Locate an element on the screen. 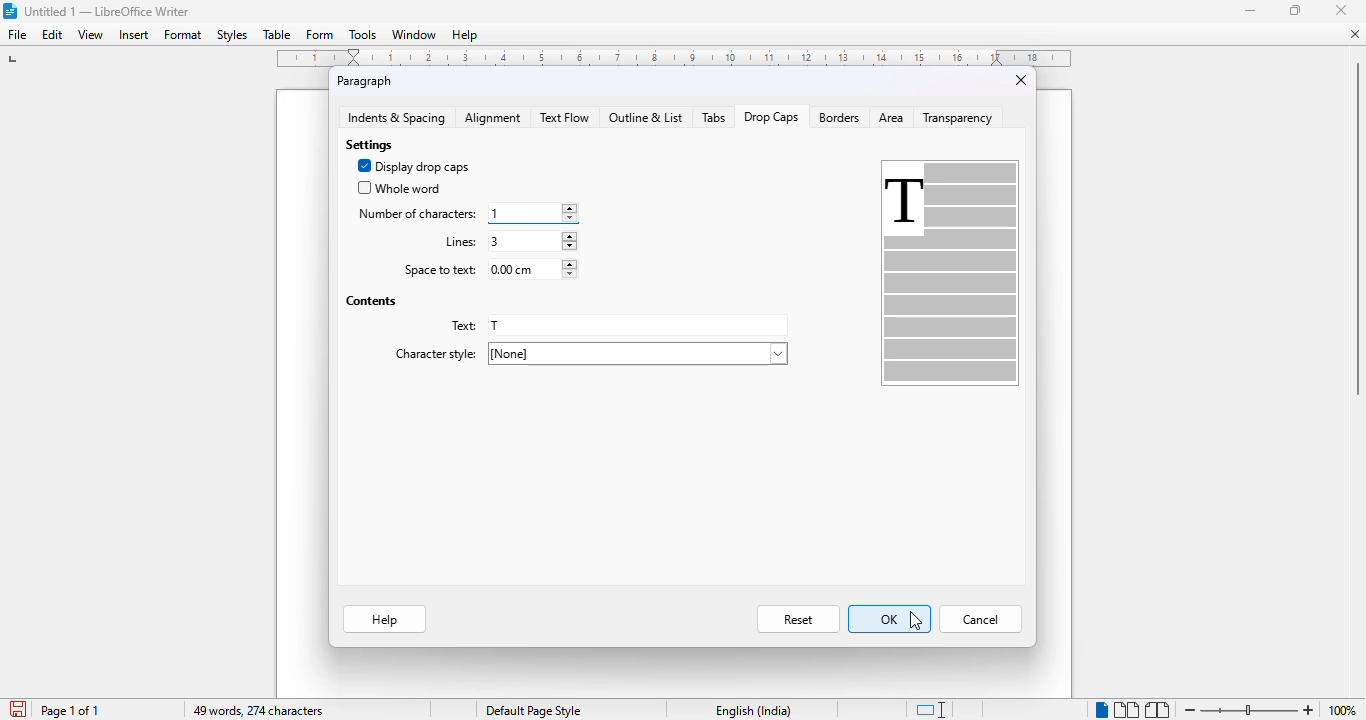 This screenshot has height=720, width=1366. lines: 3 is located at coordinates (508, 241).